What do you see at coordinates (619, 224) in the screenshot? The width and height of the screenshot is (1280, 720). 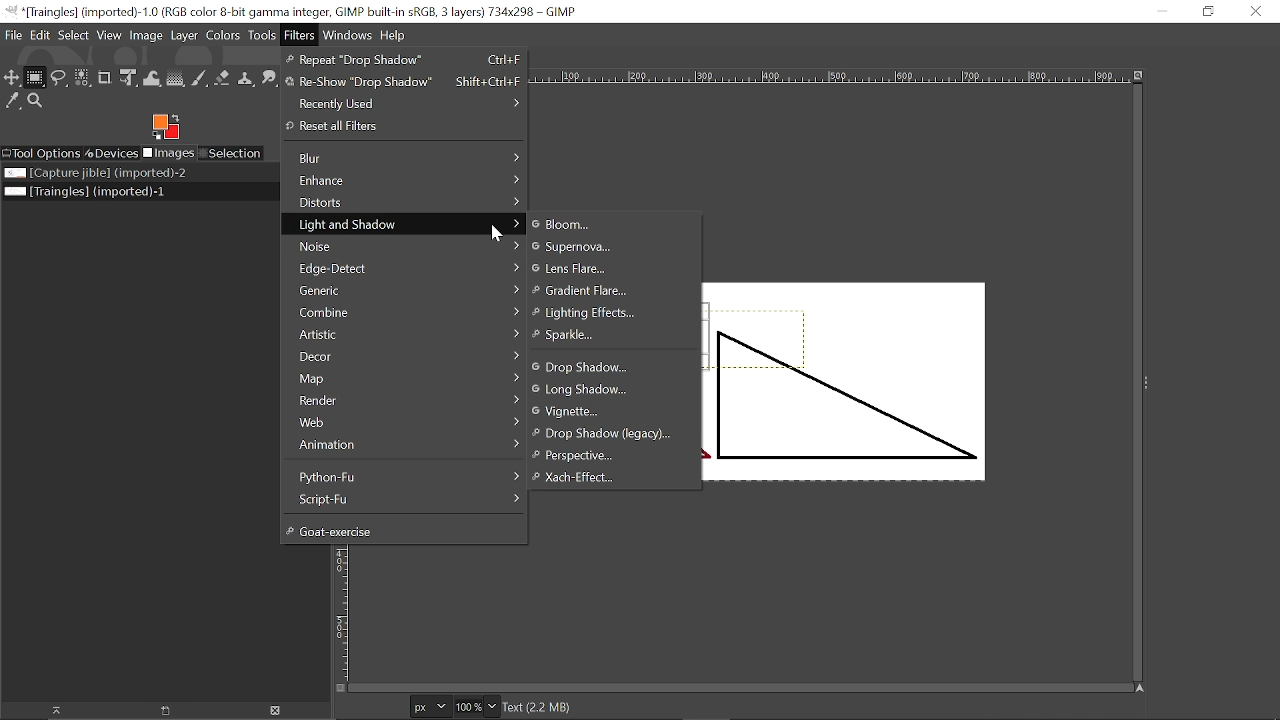 I see `Bloom` at bounding box center [619, 224].